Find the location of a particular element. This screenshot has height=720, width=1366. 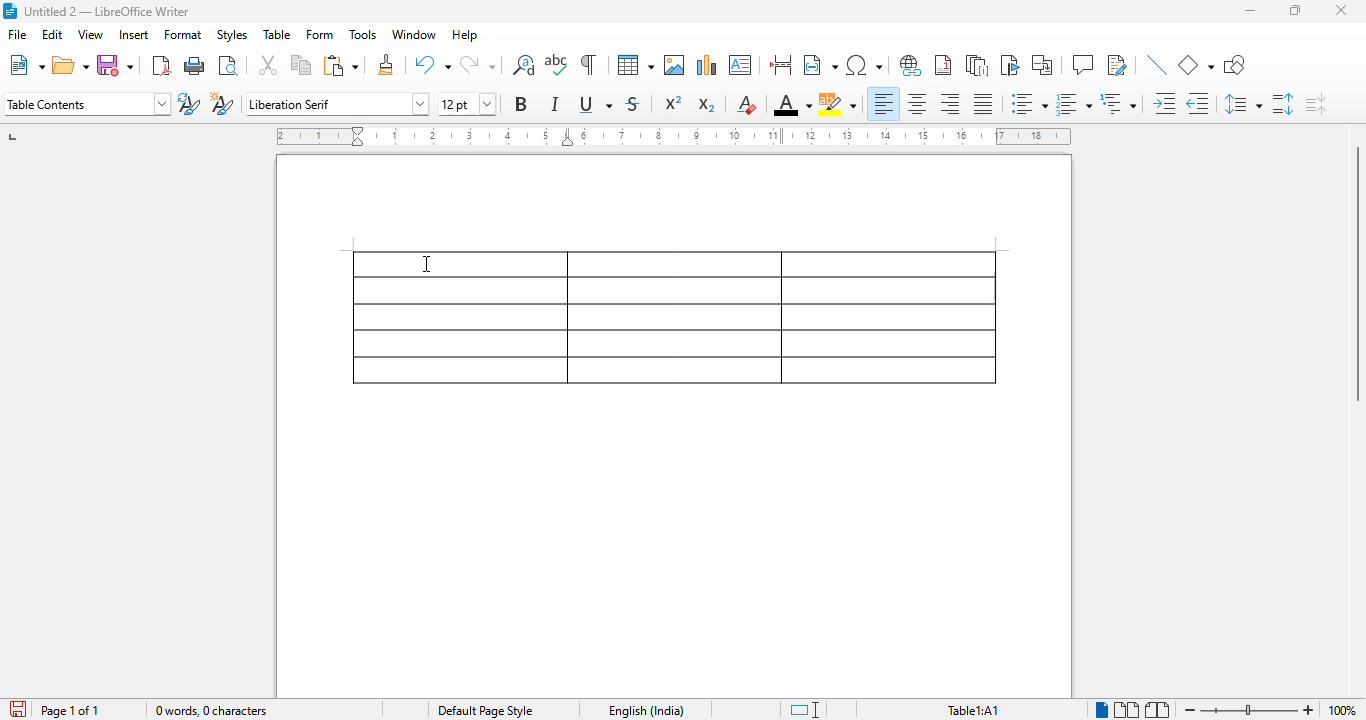

font color is located at coordinates (793, 104).